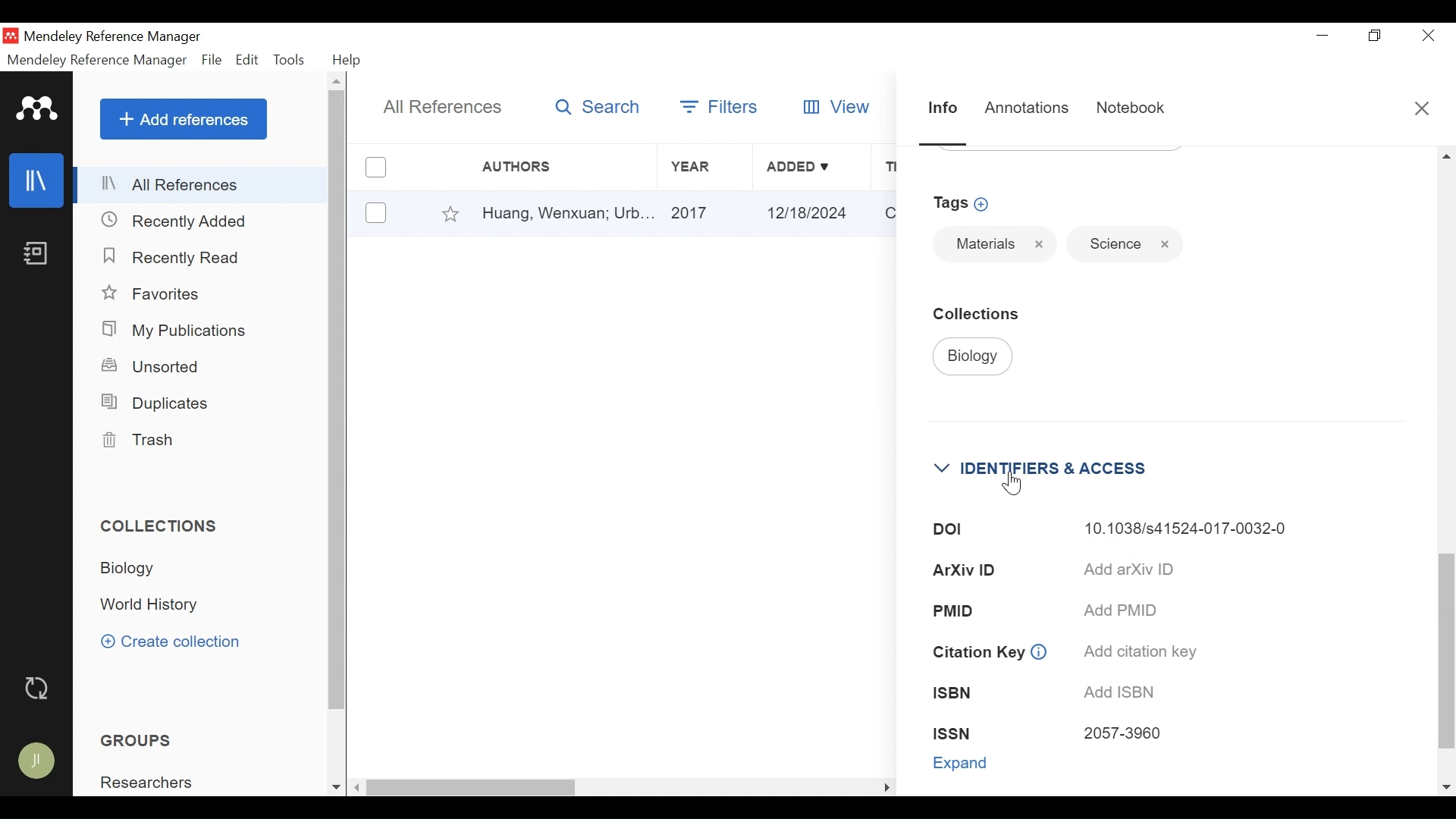 The width and height of the screenshot is (1456, 819). What do you see at coordinates (954, 693) in the screenshot?
I see `ISBN` at bounding box center [954, 693].